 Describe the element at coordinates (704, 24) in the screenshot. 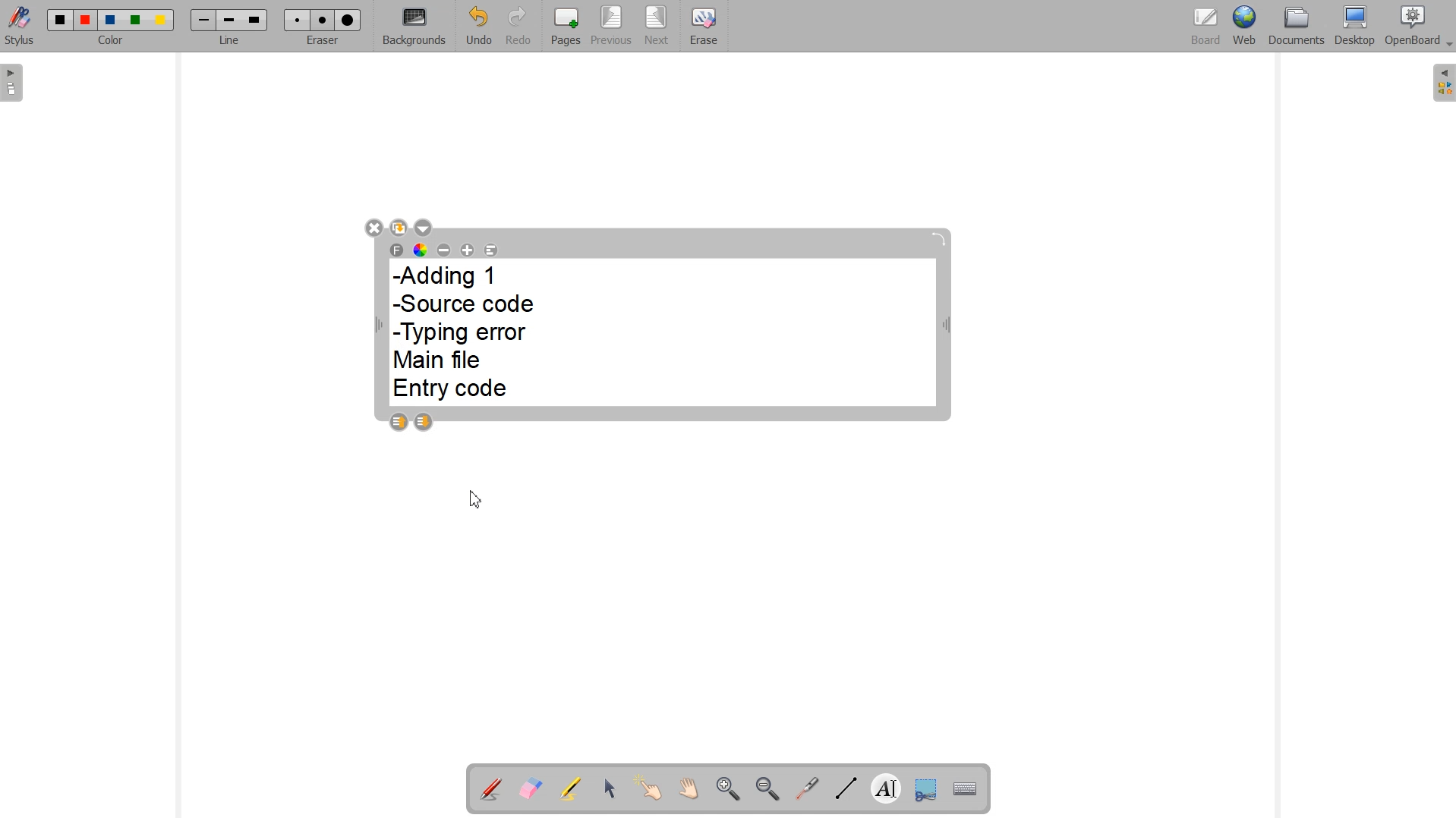

I see `Erase` at that location.